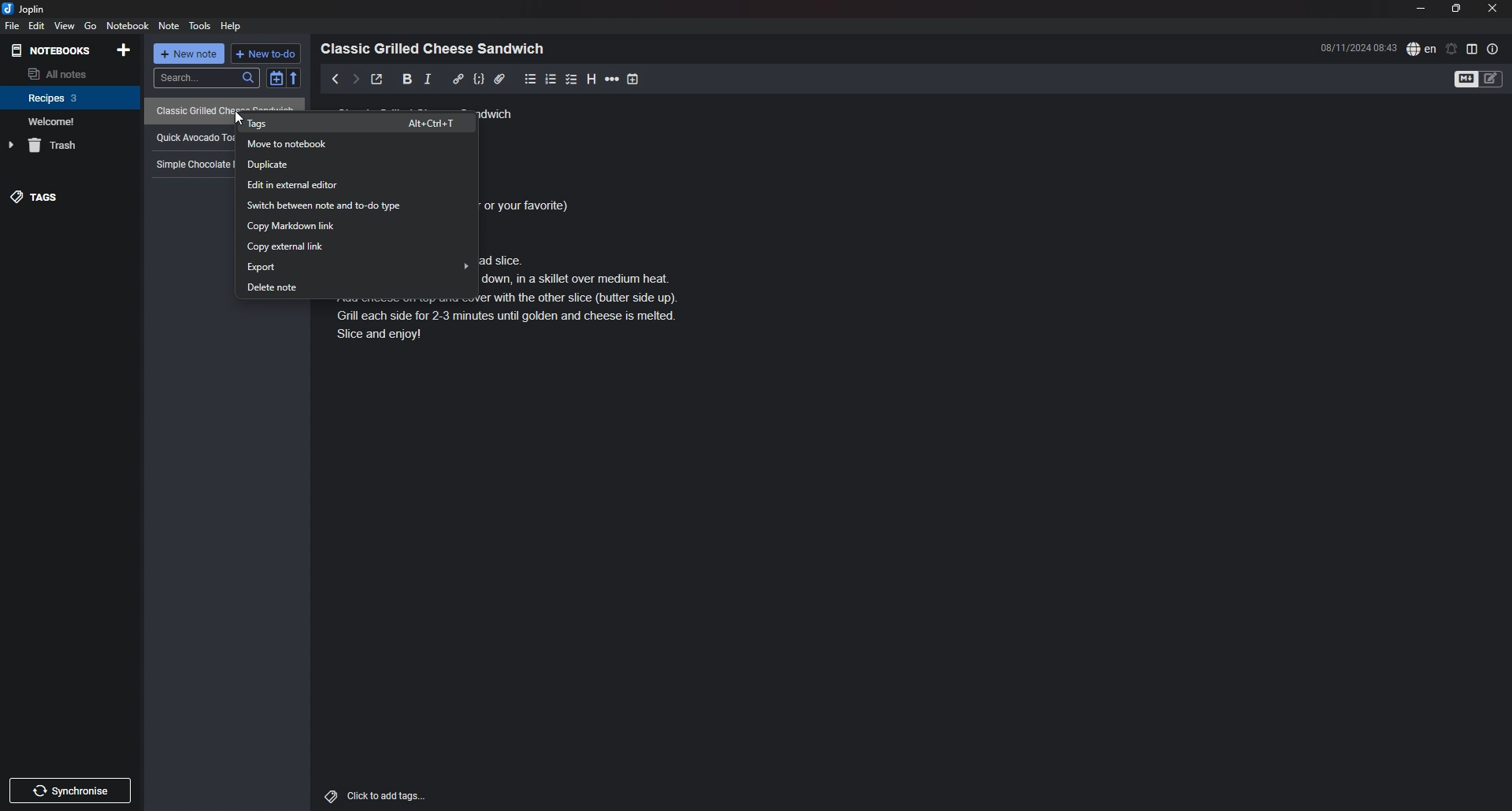 Image resolution: width=1512 pixels, height=811 pixels. I want to click on notebook, so click(129, 25).